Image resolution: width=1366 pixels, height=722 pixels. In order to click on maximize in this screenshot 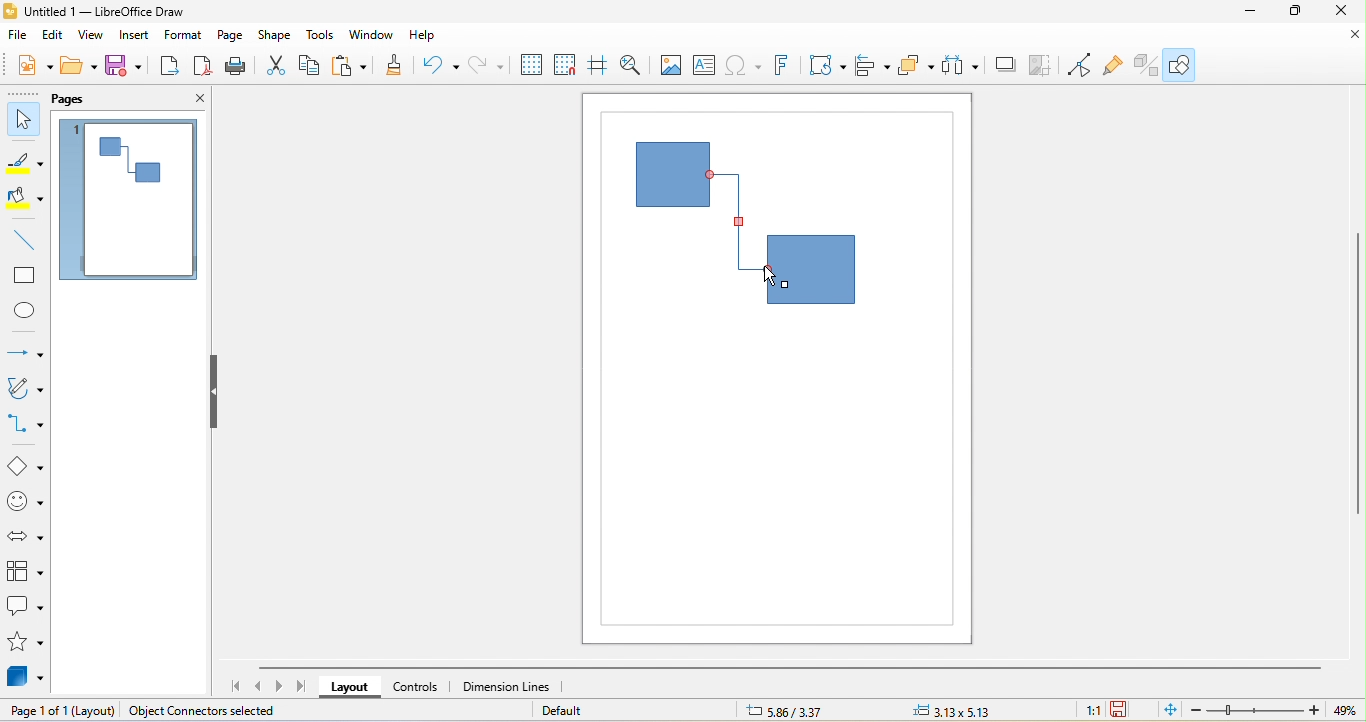, I will do `click(1301, 11)`.